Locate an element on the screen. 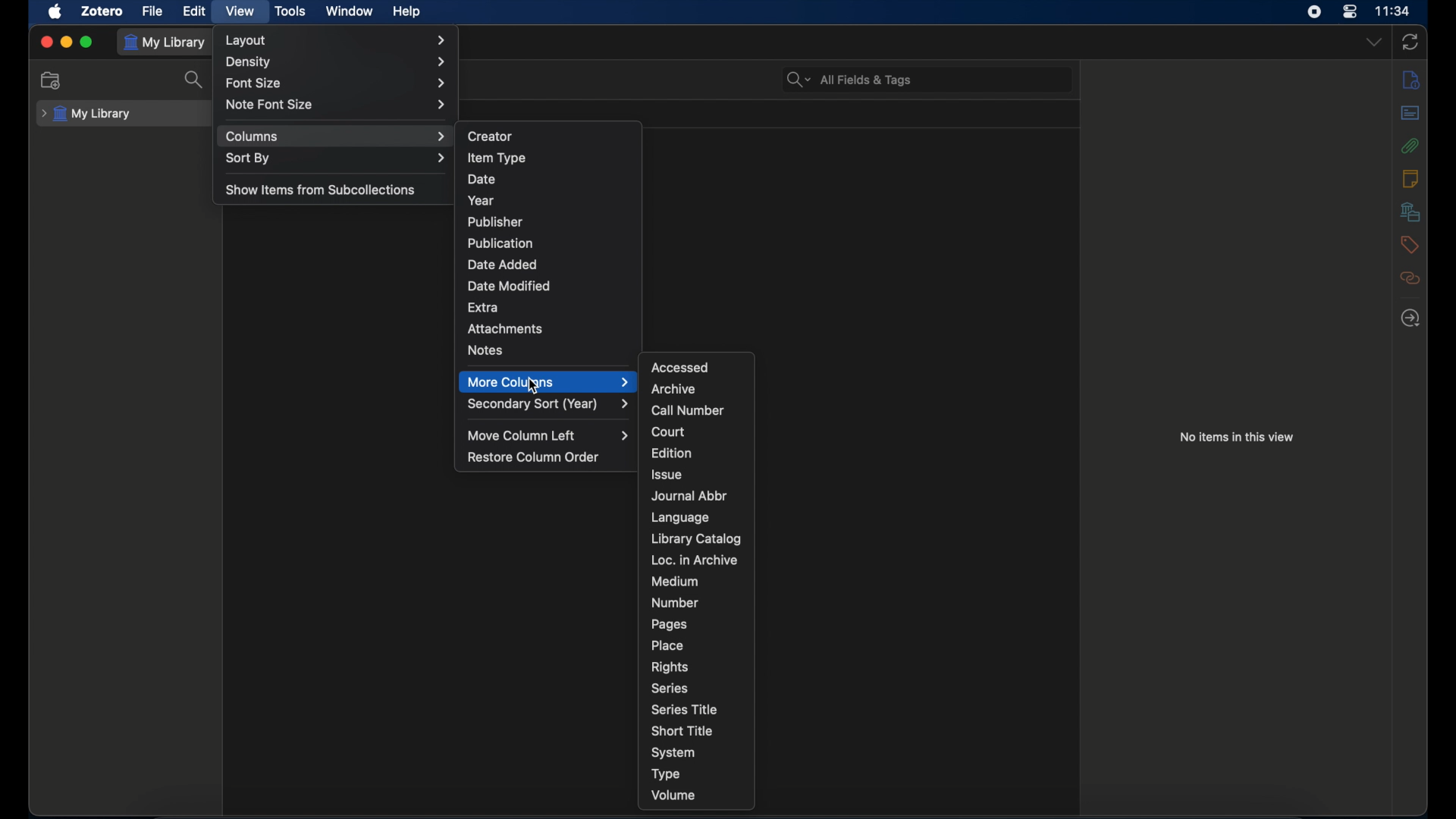 The image size is (1456, 819). edition is located at coordinates (673, 453).